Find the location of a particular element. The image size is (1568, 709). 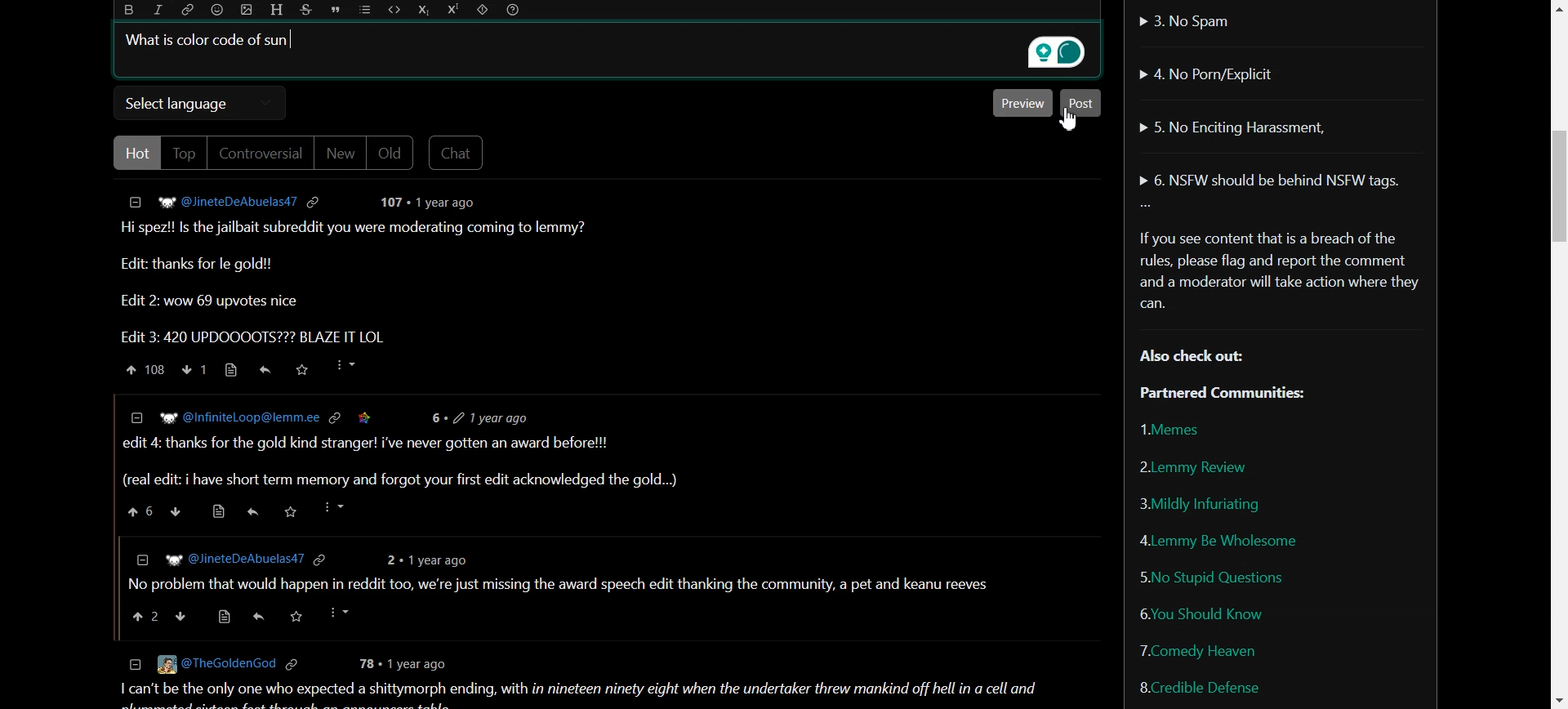

Collapse is located at coordinates (135, 202).